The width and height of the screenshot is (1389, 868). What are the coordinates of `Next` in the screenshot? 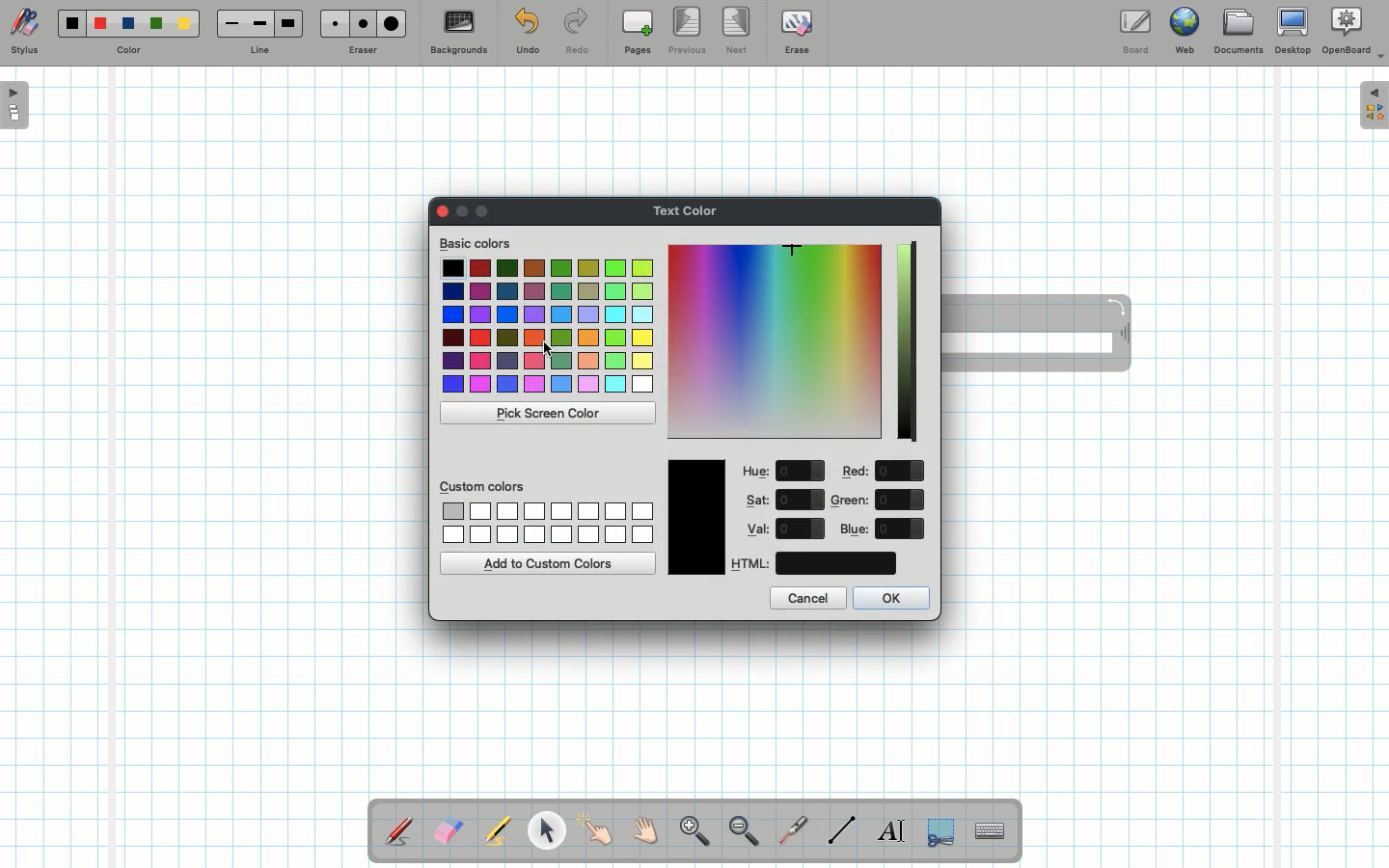 It's located at (738, 29).